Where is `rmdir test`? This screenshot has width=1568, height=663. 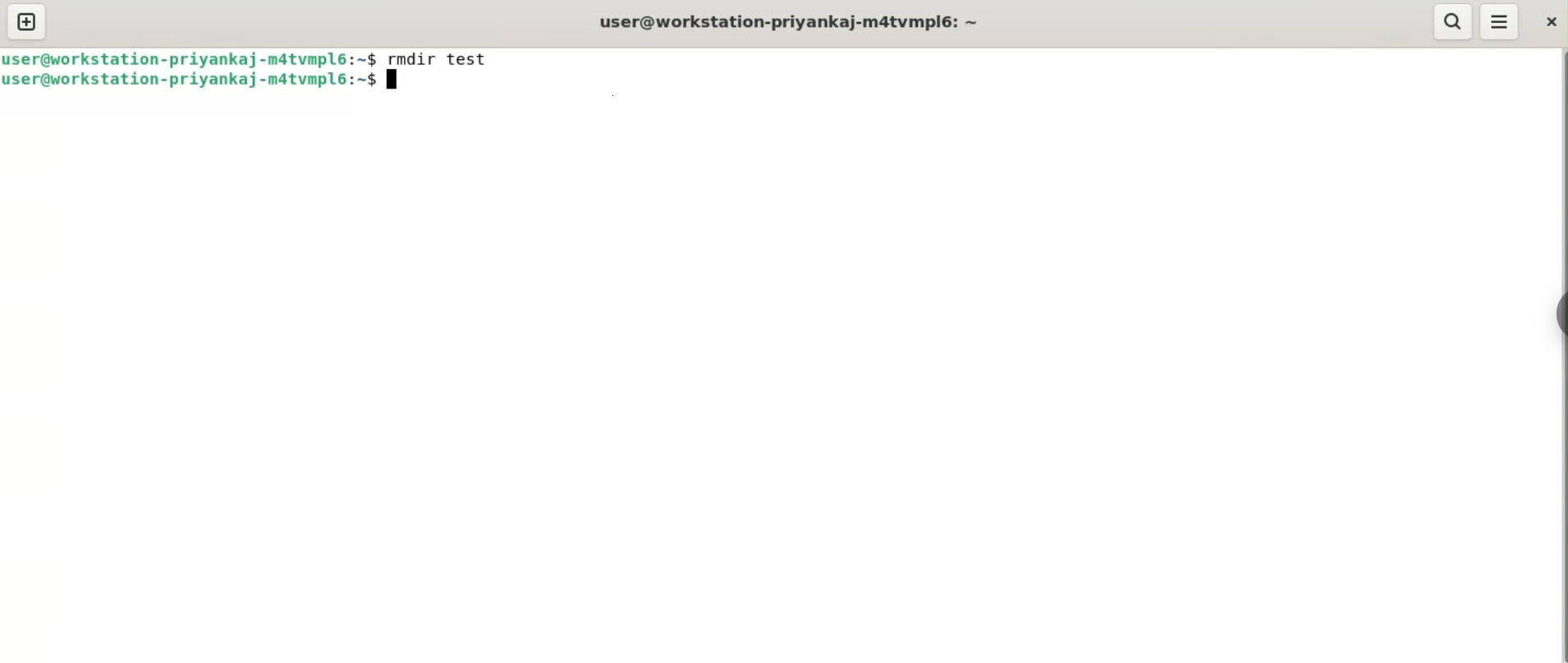
rmdir test is located at coordinates (447, 59).